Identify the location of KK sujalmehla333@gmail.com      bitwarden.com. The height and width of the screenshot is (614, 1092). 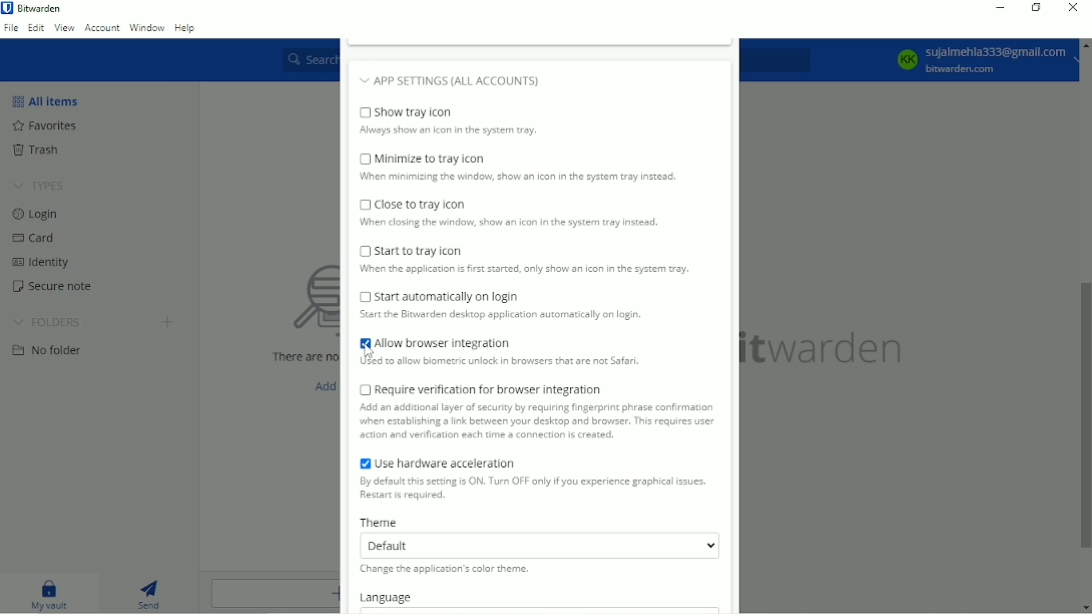
(983, 59).